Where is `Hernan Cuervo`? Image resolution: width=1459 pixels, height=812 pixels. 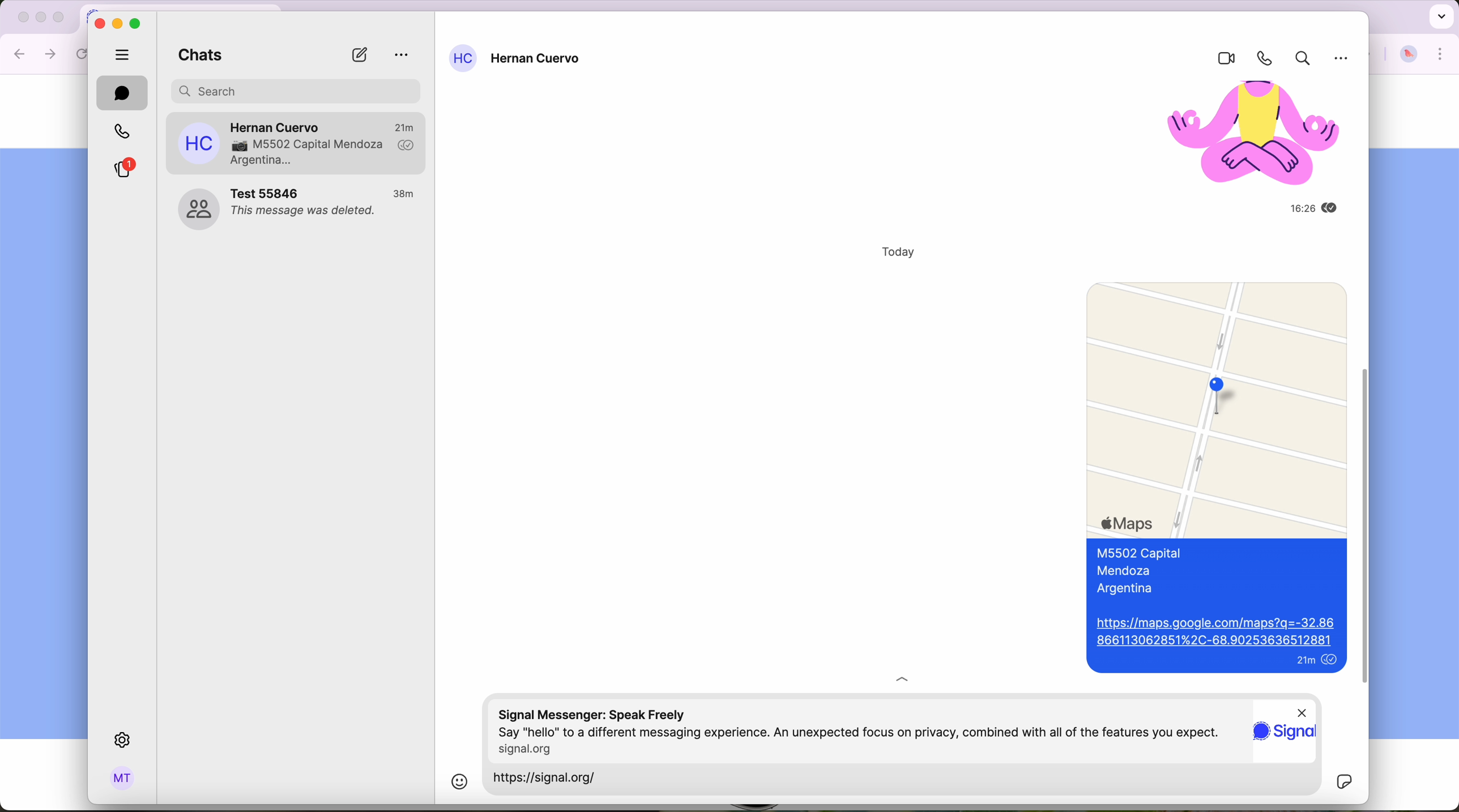 Hernan Cuervo is located at coordinates (537, 60).